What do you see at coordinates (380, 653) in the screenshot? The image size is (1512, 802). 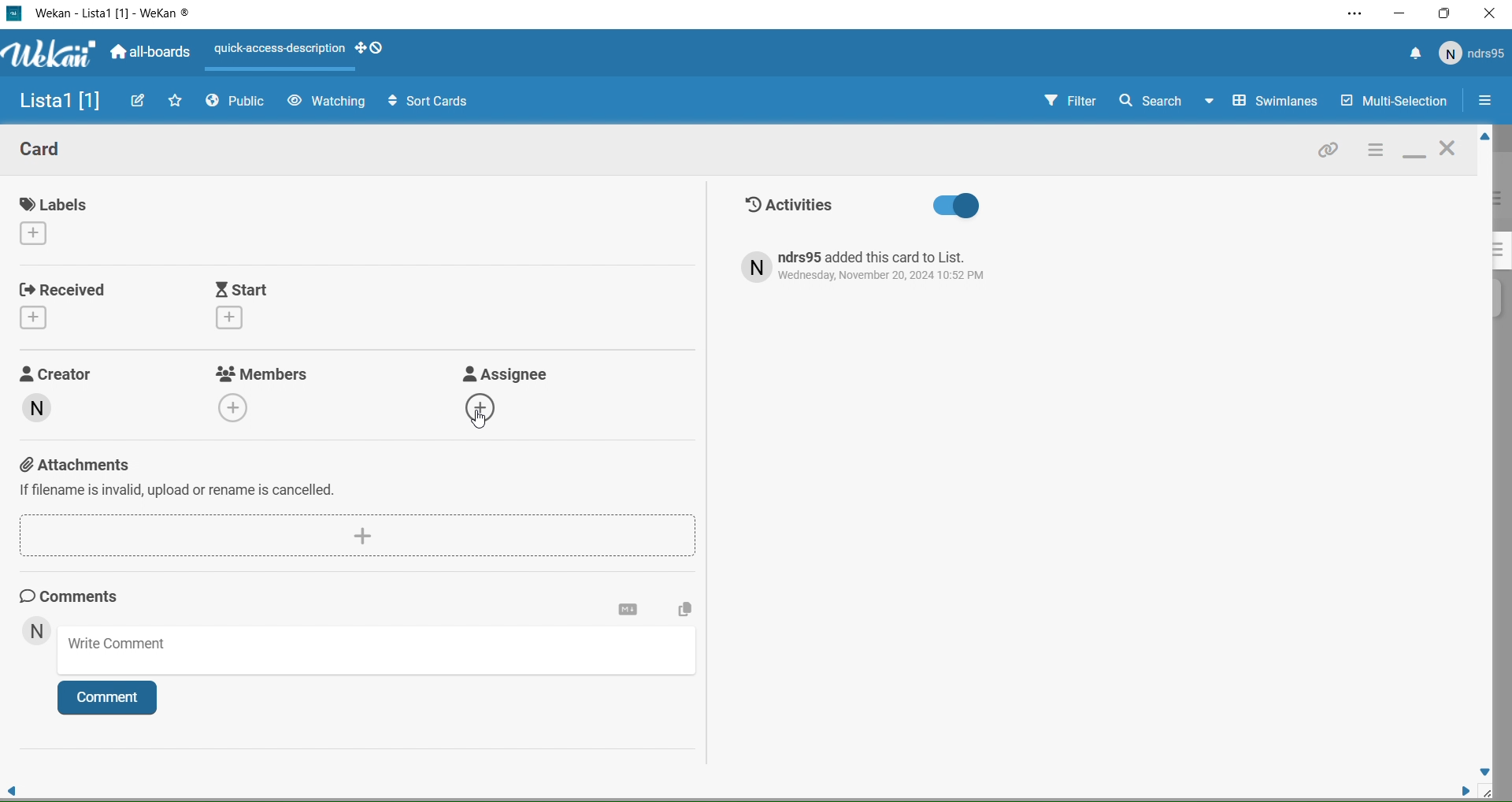 I see `Write Comment` at bounding box center [380, 653].